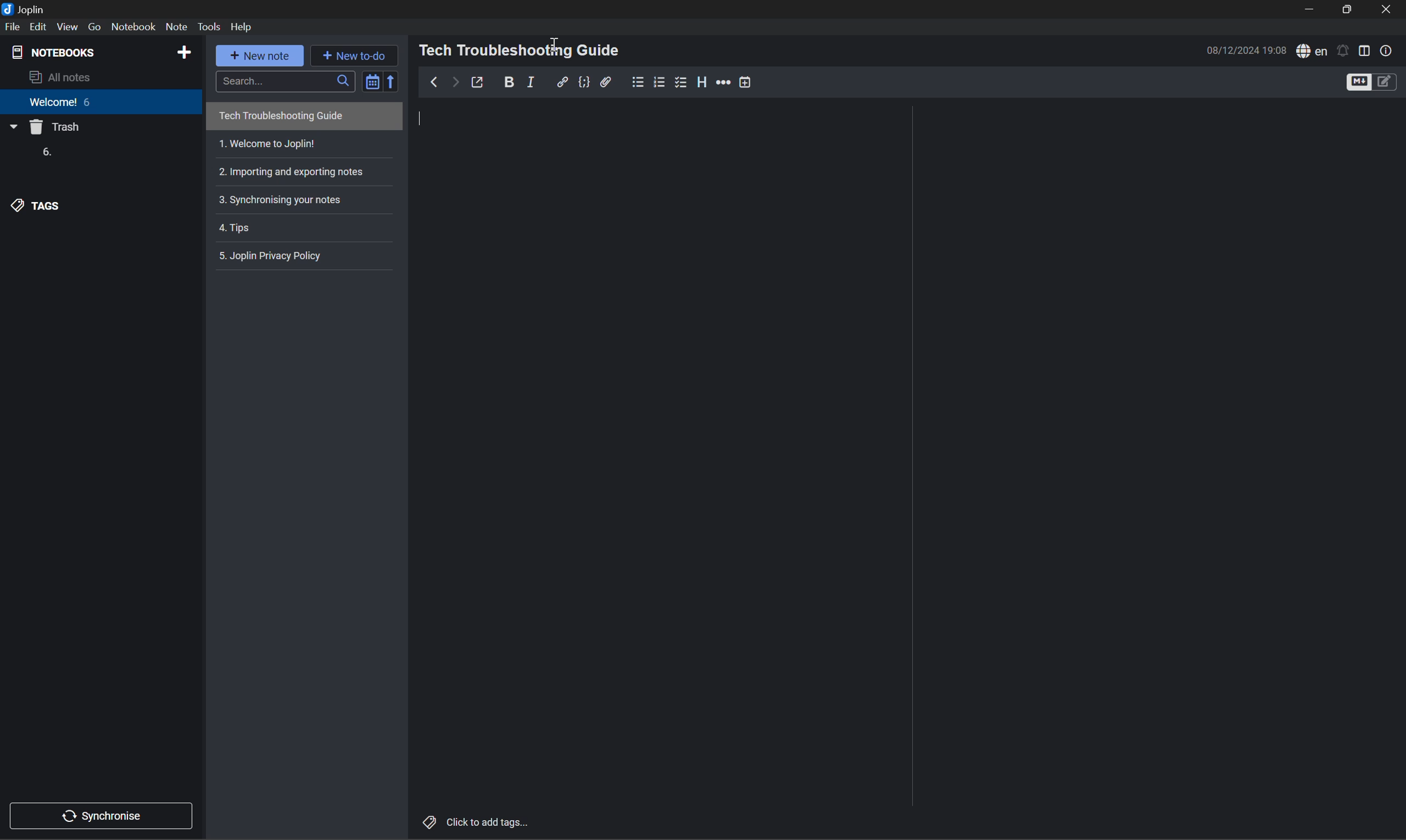  What do you see at coordinates (246, 27) in the screenshot?
I see `Help` at bounding box center [246, 27].